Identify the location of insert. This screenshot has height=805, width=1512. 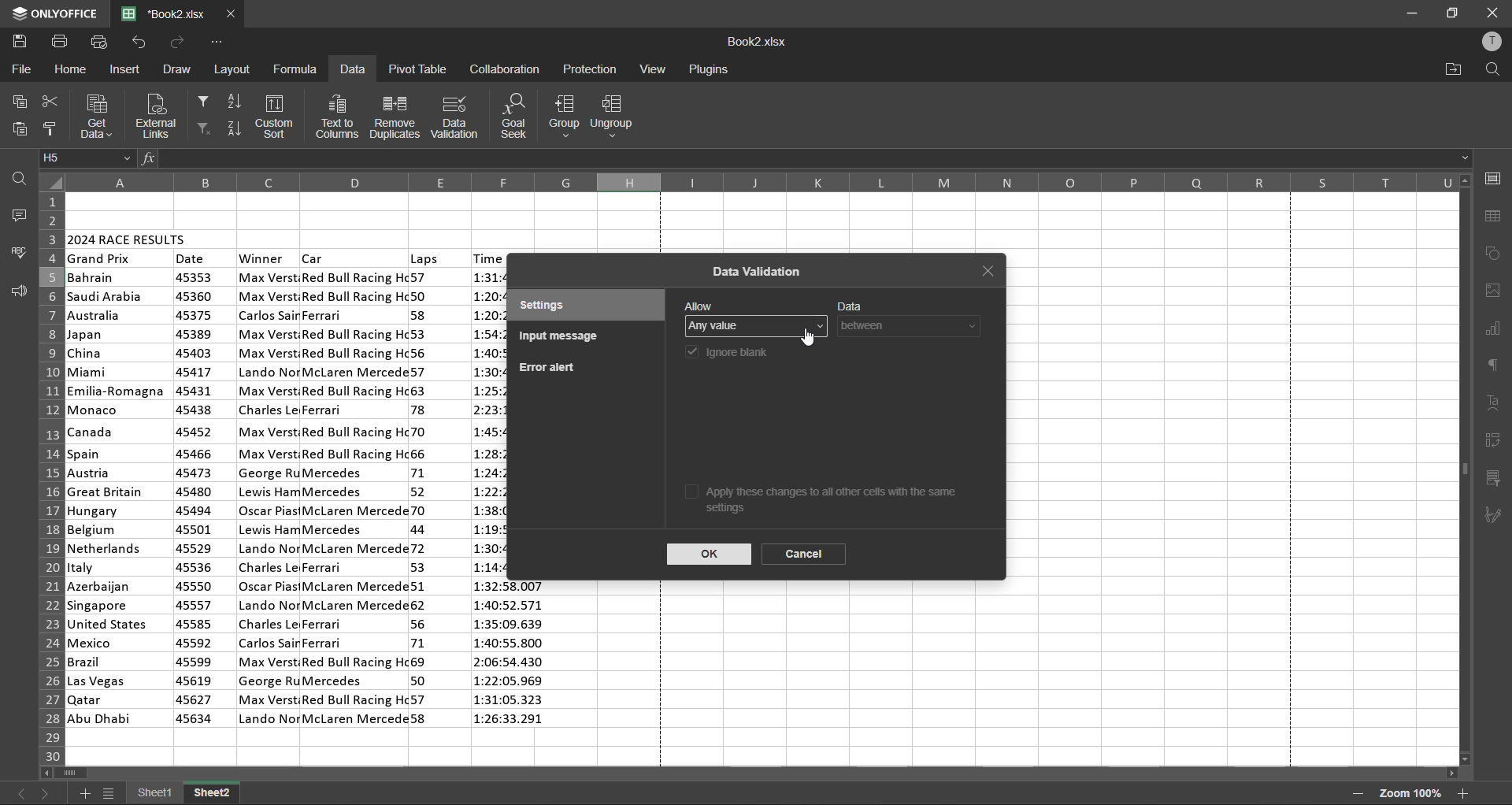
(128, 69).